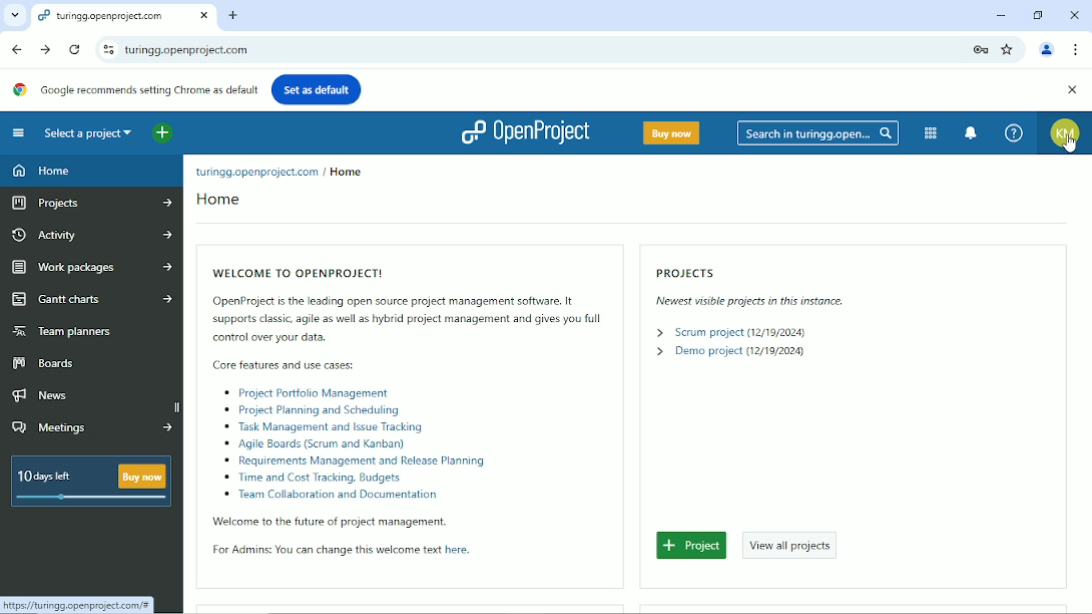  I want to click on Home, so click(218, 201).